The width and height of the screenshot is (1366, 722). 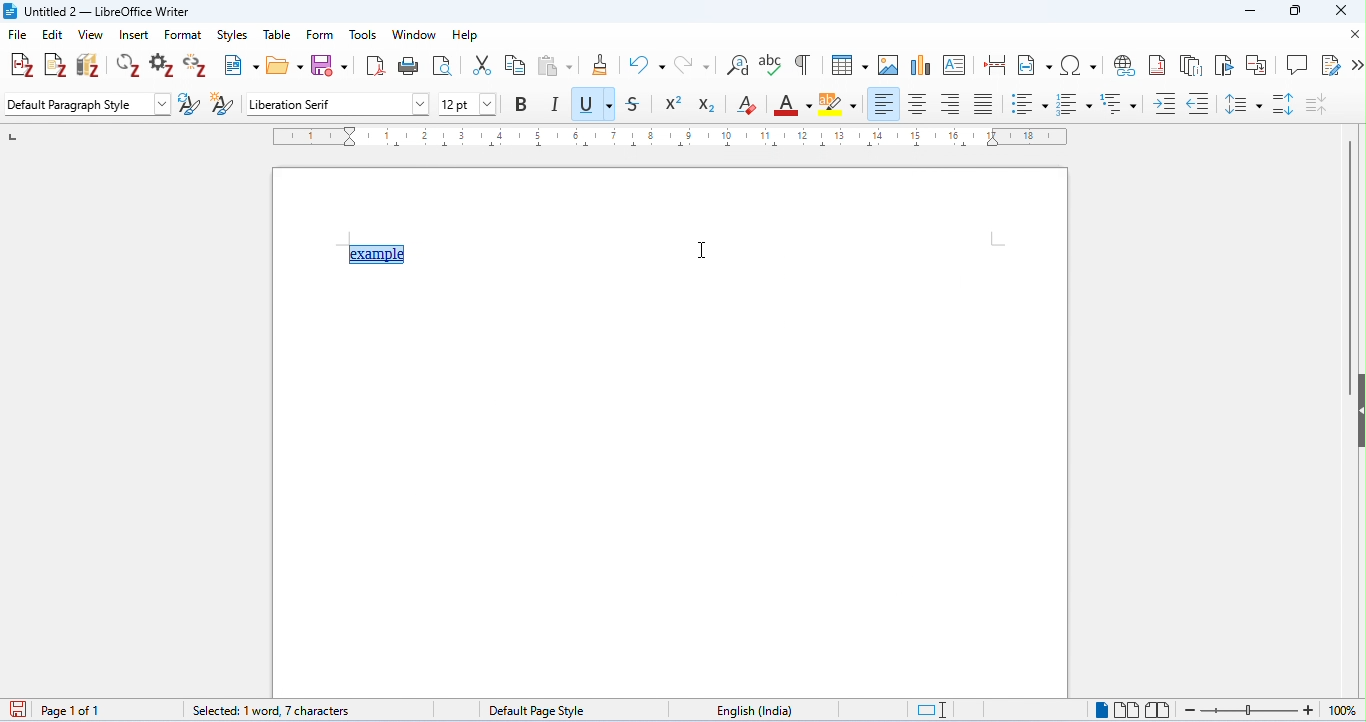 What do you see at coordinates (634, 104) in the screenshot?
I see `strikethrough` at bounding box center [634, 104].